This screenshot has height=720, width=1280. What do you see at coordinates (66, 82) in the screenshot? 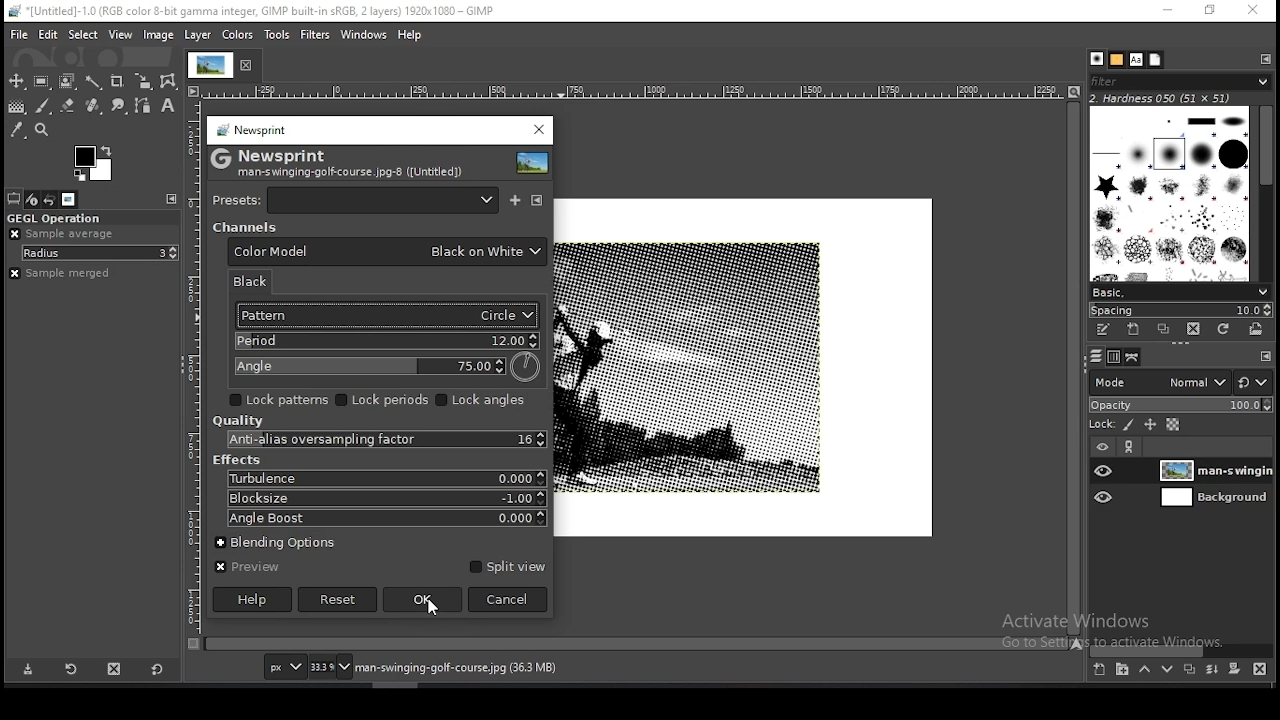
I see `foreground select tool` at bounding box center [66, 82].